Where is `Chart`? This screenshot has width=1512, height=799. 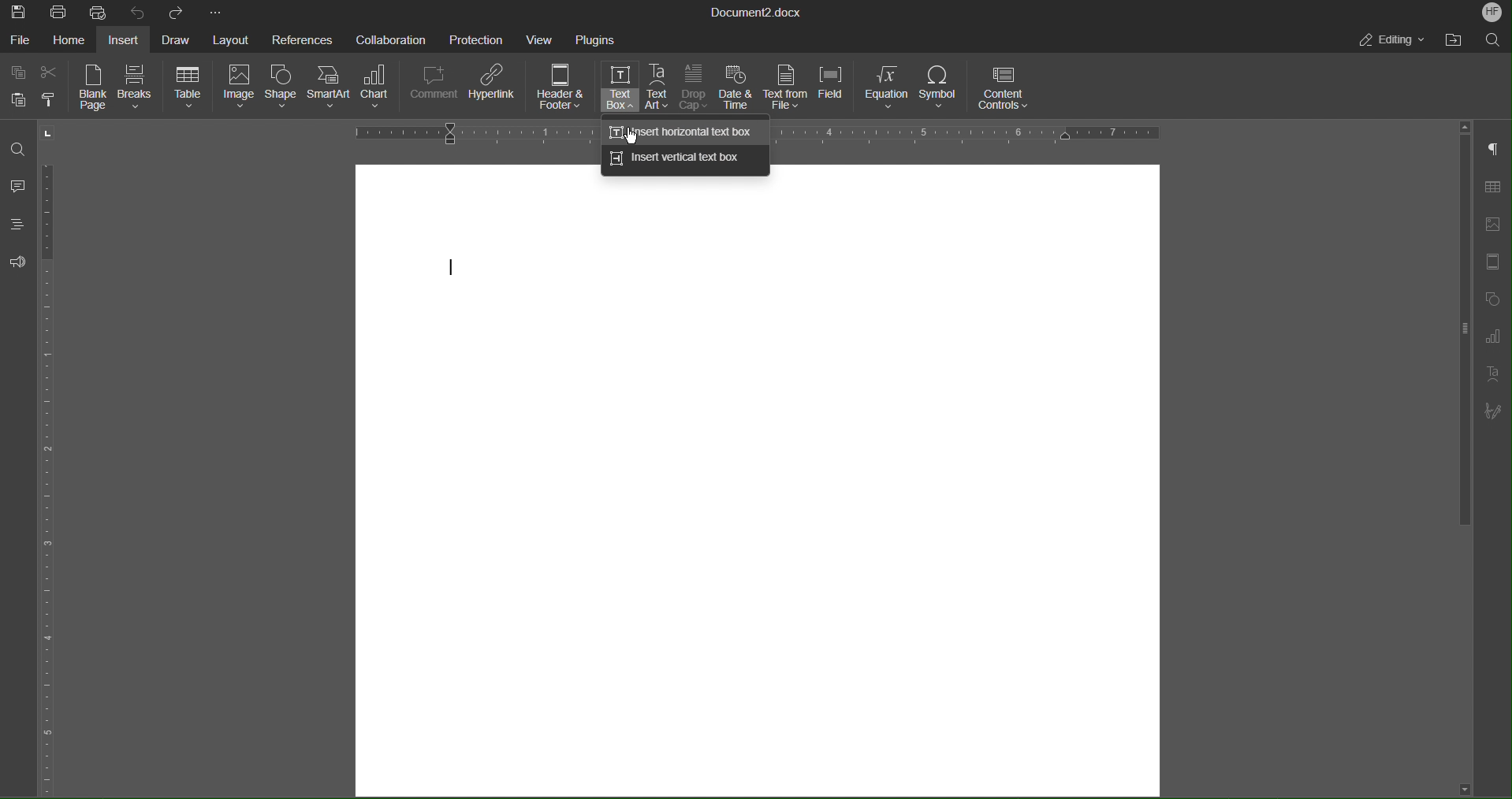 Chart is located at coordinates (379, 90).